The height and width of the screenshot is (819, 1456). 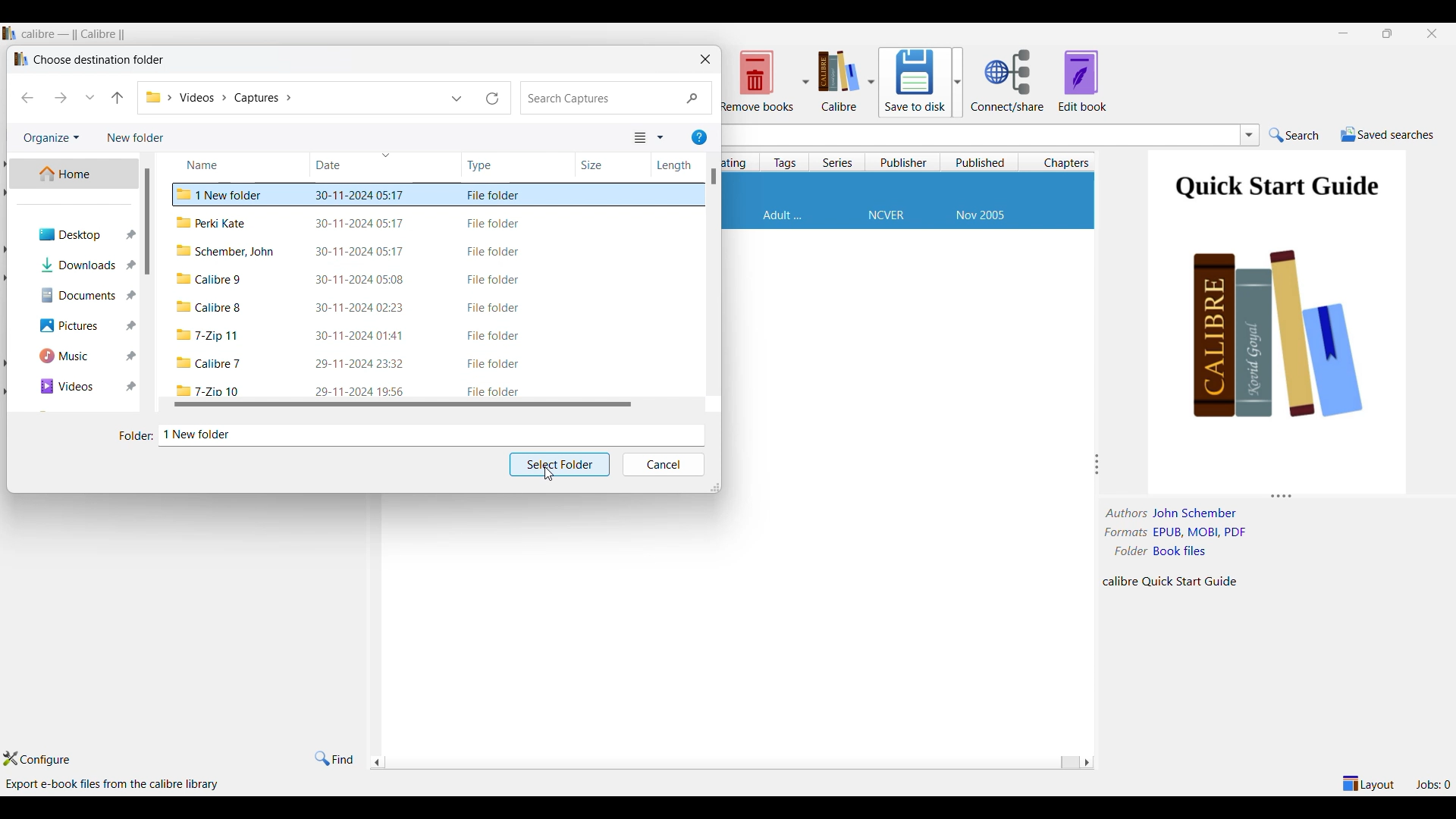 What do you see at coordinates (1369, 783) in the screenshot?
I see `Layout settings` at bounding box center [1369, 783].